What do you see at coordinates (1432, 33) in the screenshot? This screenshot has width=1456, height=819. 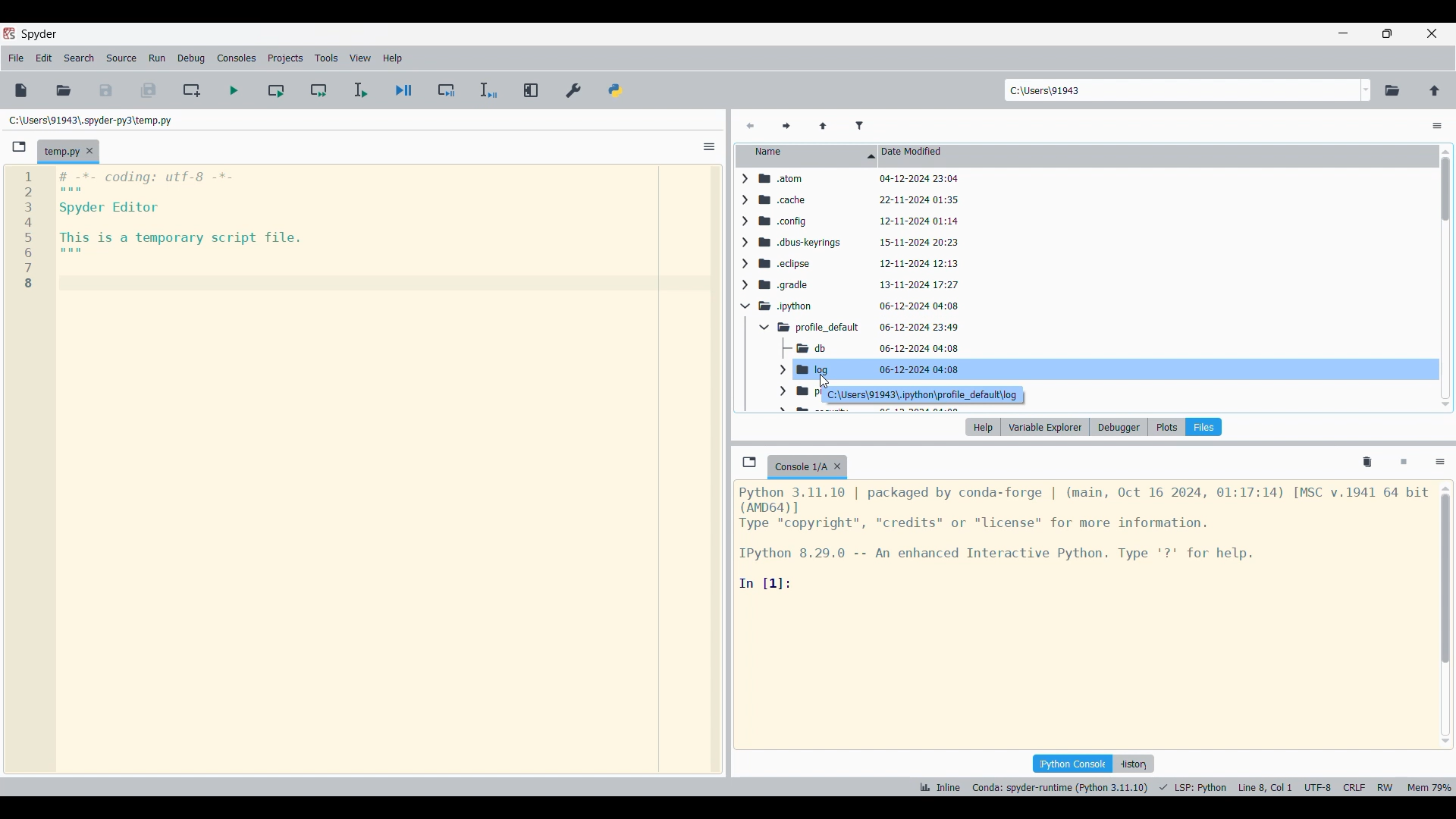 I see `Close interface ` at bounding box center [1432, 33].